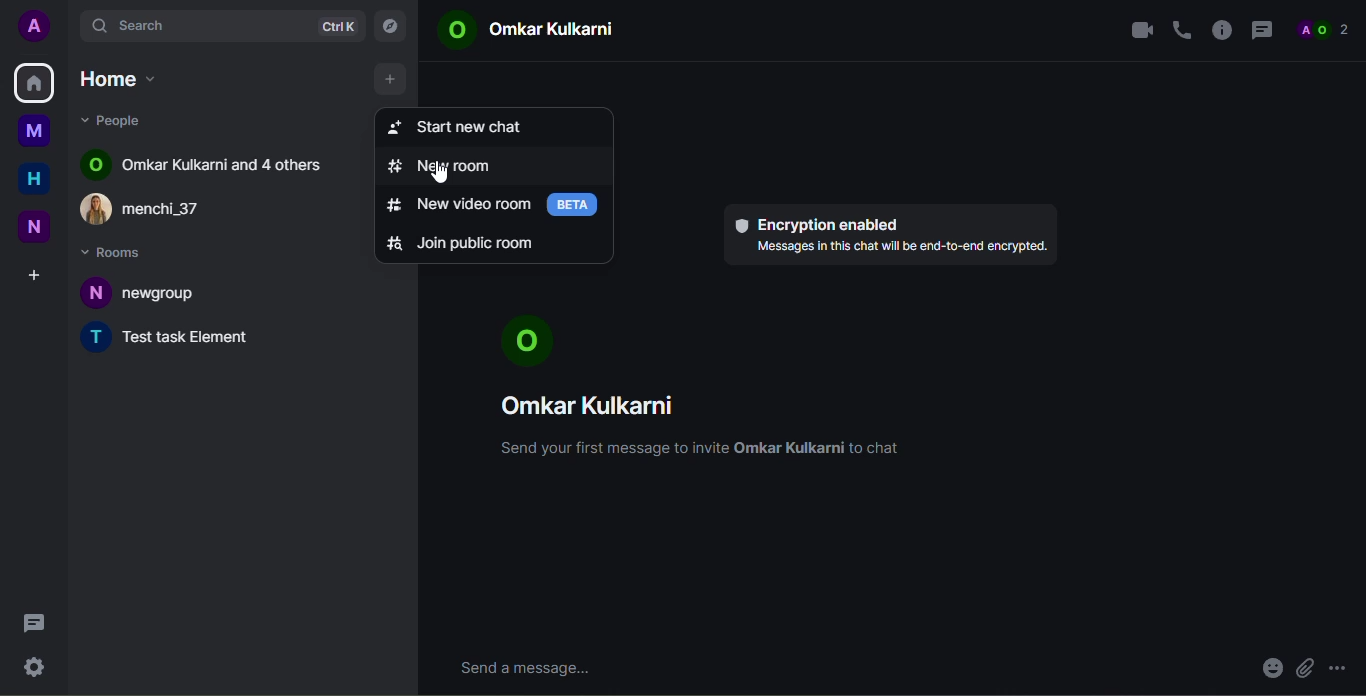 The height and width of the screenshot is (696, 1366). I want to click on emoji, so click(1270, 670).